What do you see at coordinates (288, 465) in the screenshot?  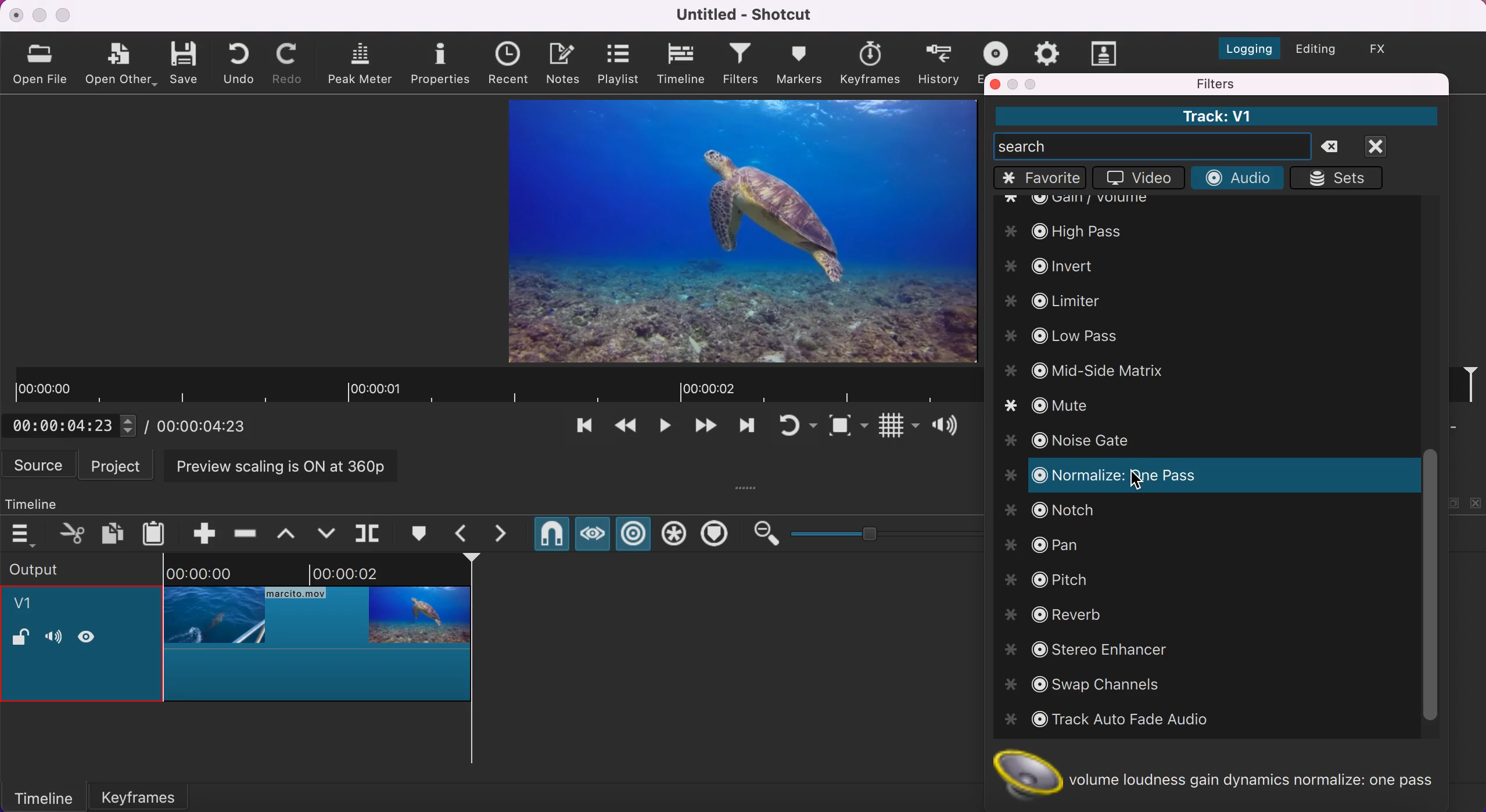 I see `preview scaling is on at 360p` at bounding box center [288, 465].